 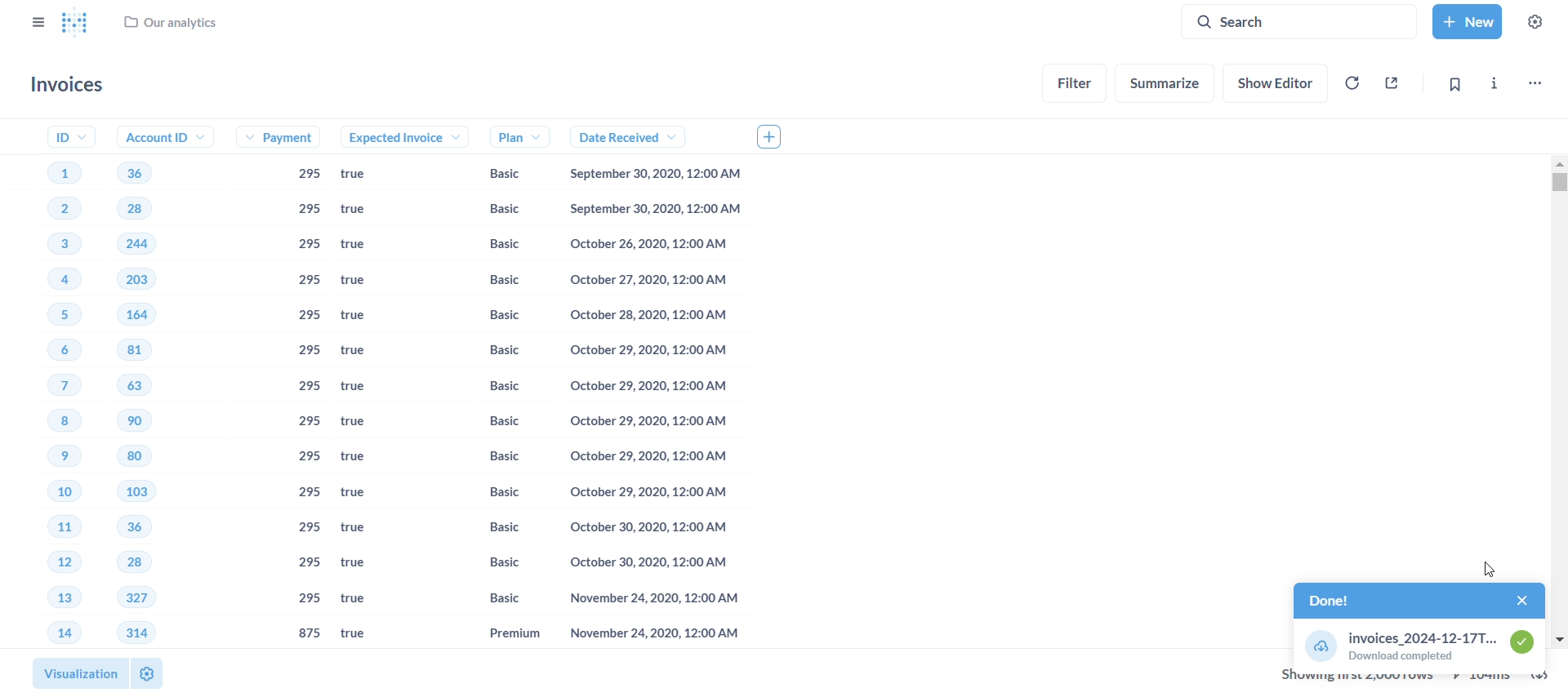 What do you see at coordinates (491, 598) in the screenshot?
I see `basic` at bounding box center [491, 598].